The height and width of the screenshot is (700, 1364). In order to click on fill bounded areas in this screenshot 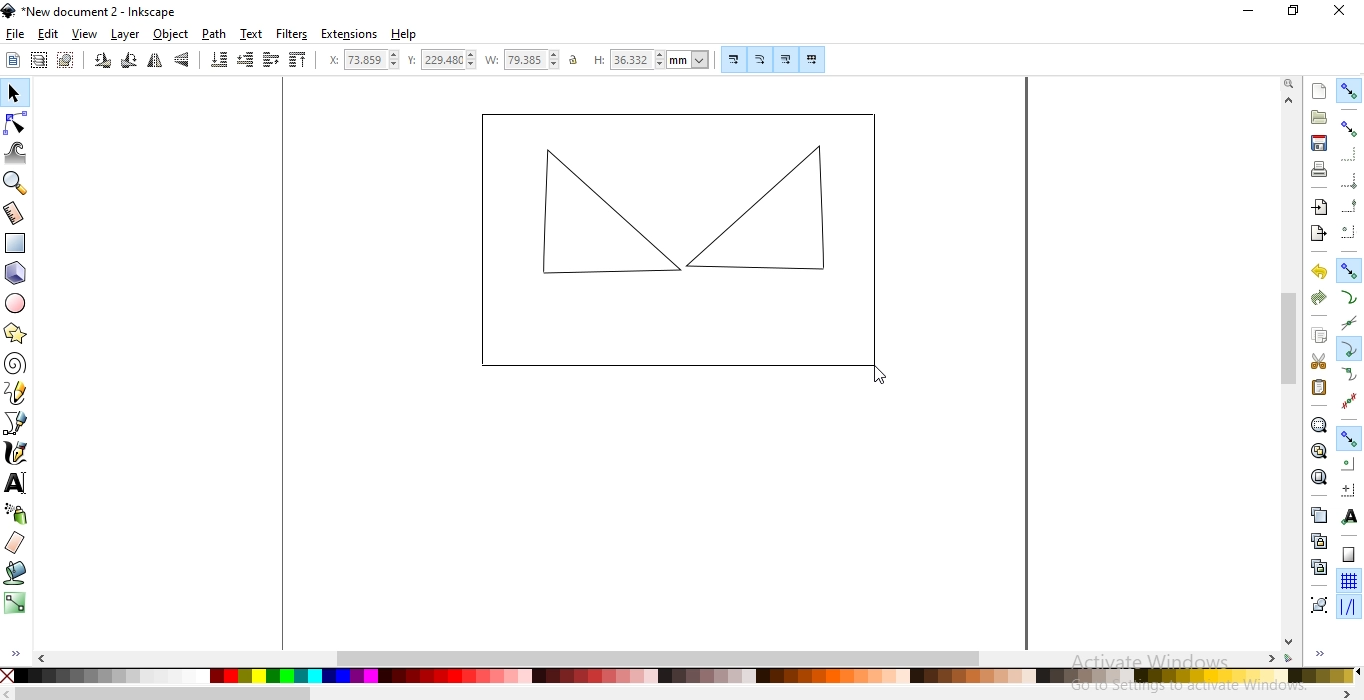, I will do `click(17, 572)`.